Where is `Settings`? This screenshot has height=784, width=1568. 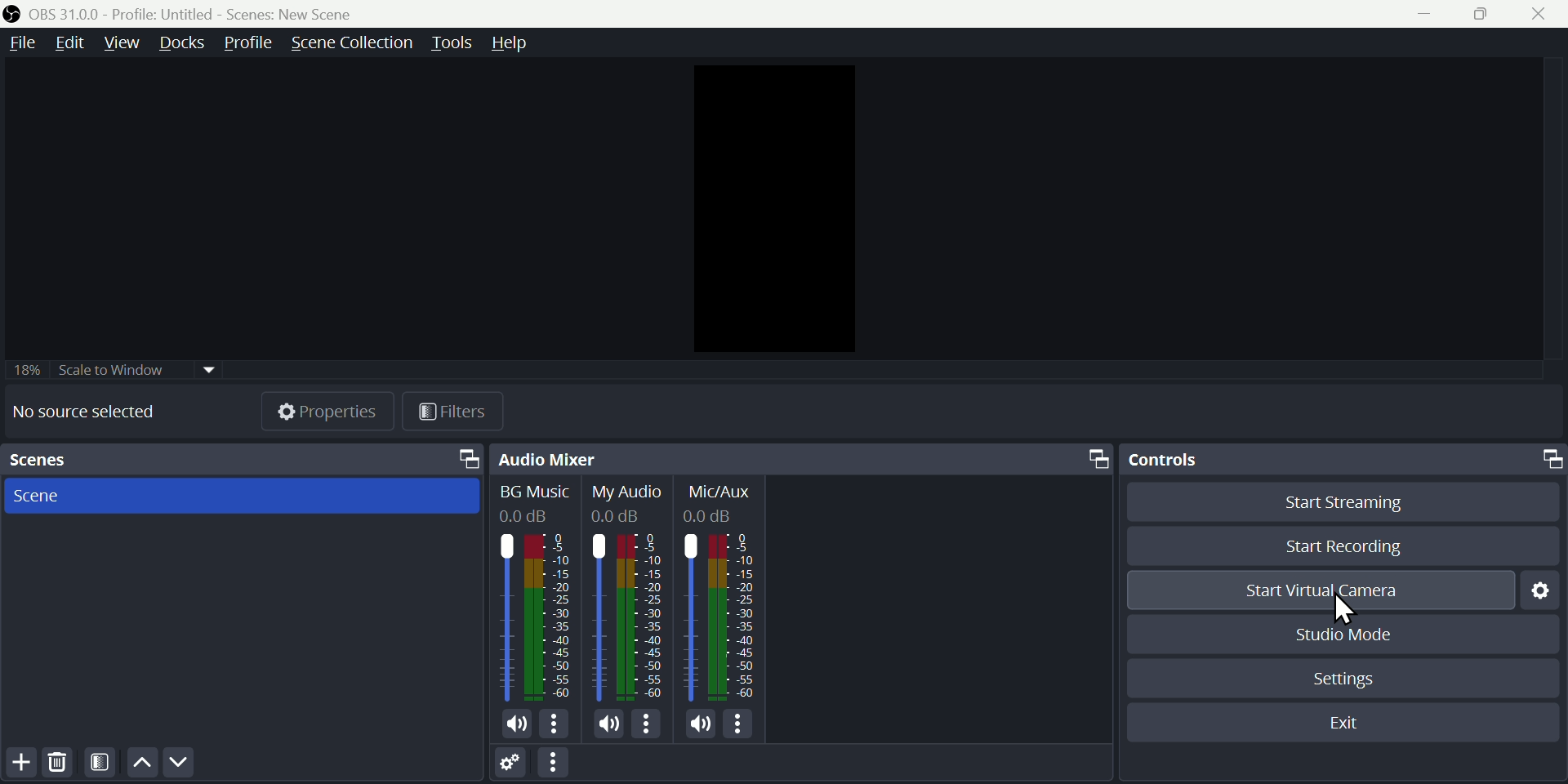
Settings is located at coordinates (1350, 677).